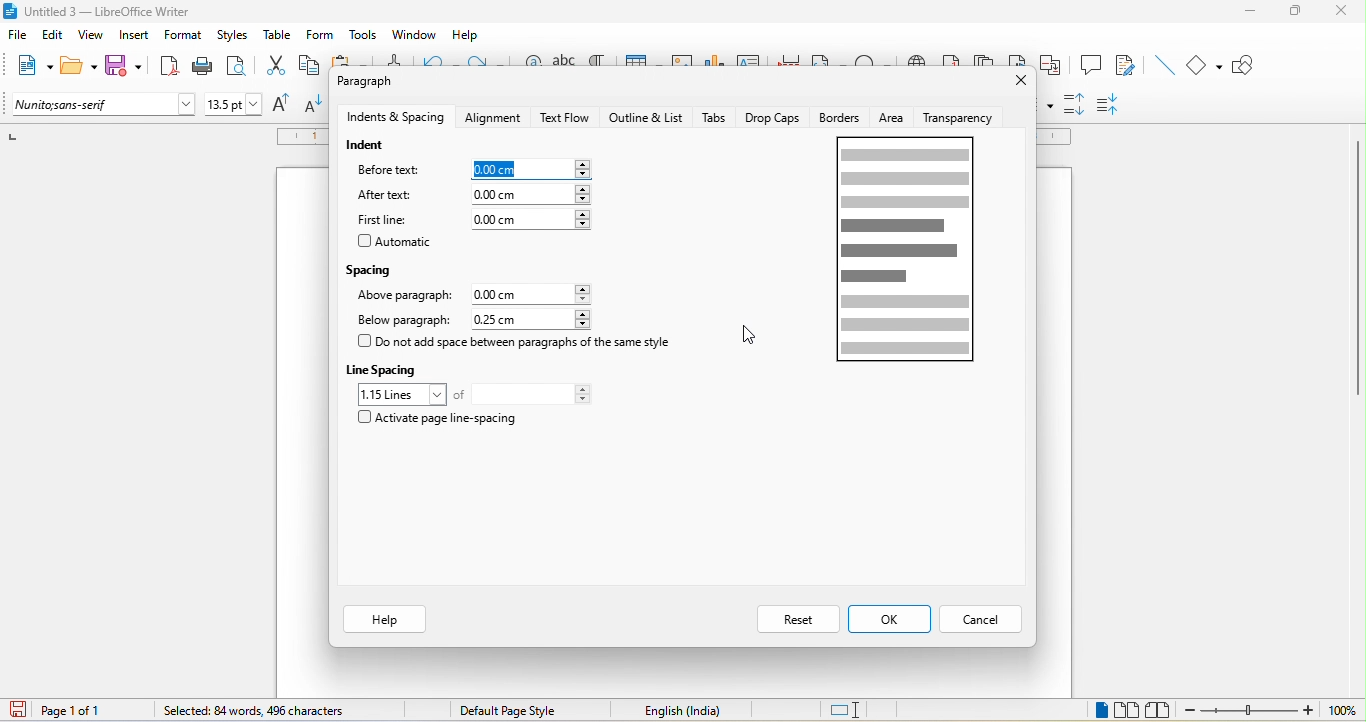  What do you see at coordinates (278, 34) in the screenshot?
I see `table` at bounding box center [278, 34].